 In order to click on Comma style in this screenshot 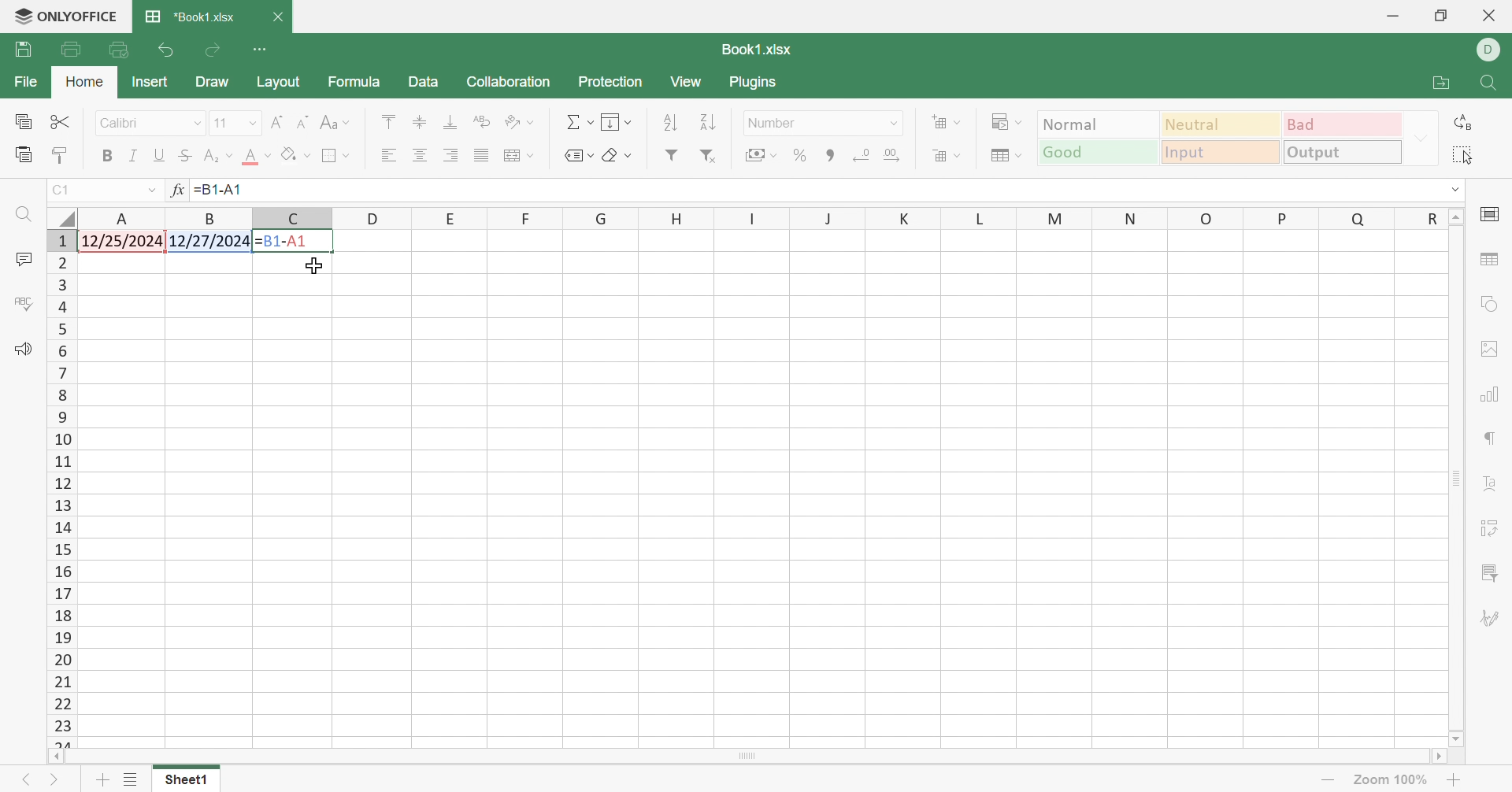, I will do `click(830, 156)`.